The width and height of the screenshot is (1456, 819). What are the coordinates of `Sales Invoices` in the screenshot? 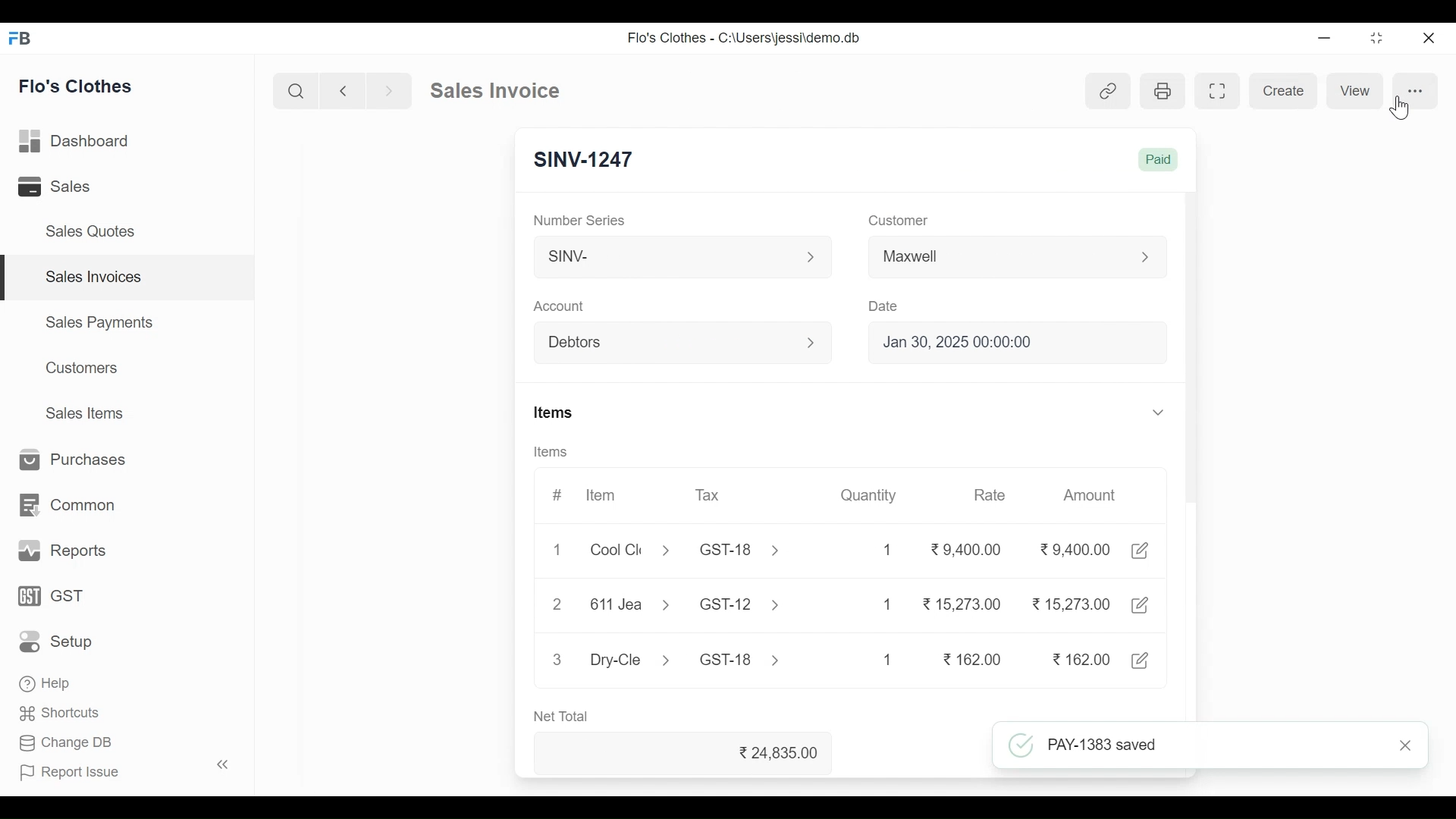 It's located at (129, 278).